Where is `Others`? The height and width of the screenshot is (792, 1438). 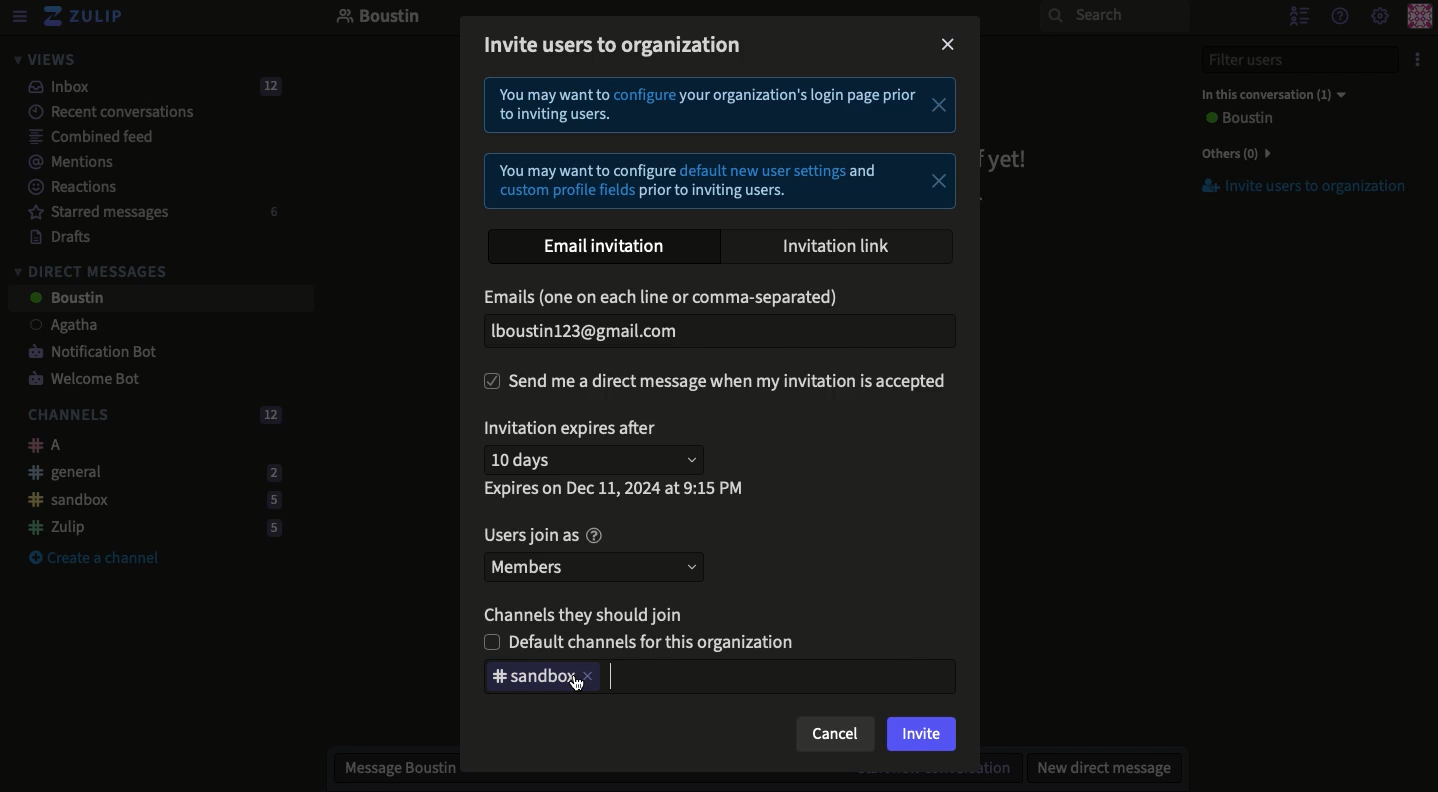
Others is located at coordinates (1232, 153).